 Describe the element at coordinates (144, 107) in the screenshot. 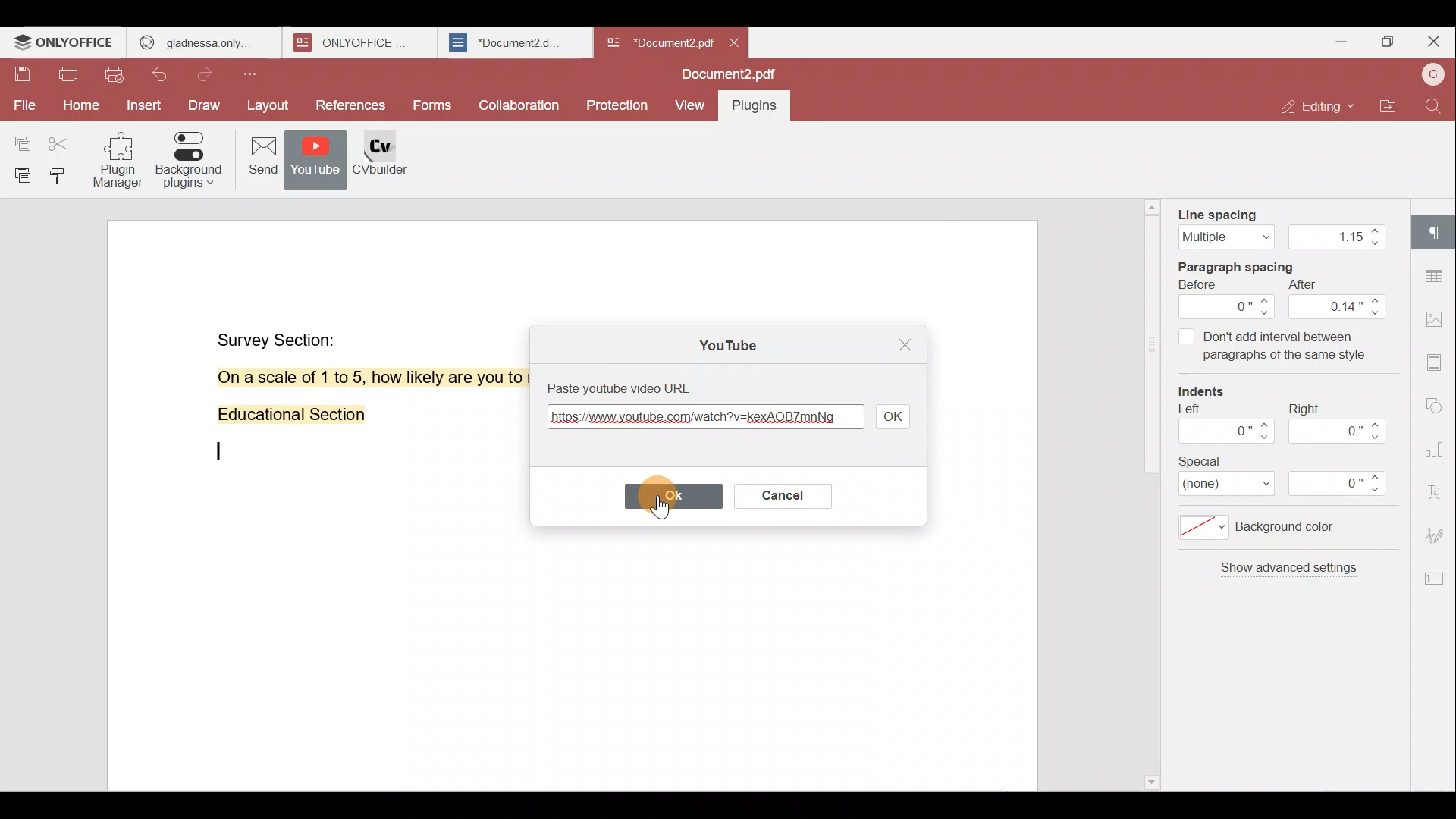

I see `Insert` at that location.